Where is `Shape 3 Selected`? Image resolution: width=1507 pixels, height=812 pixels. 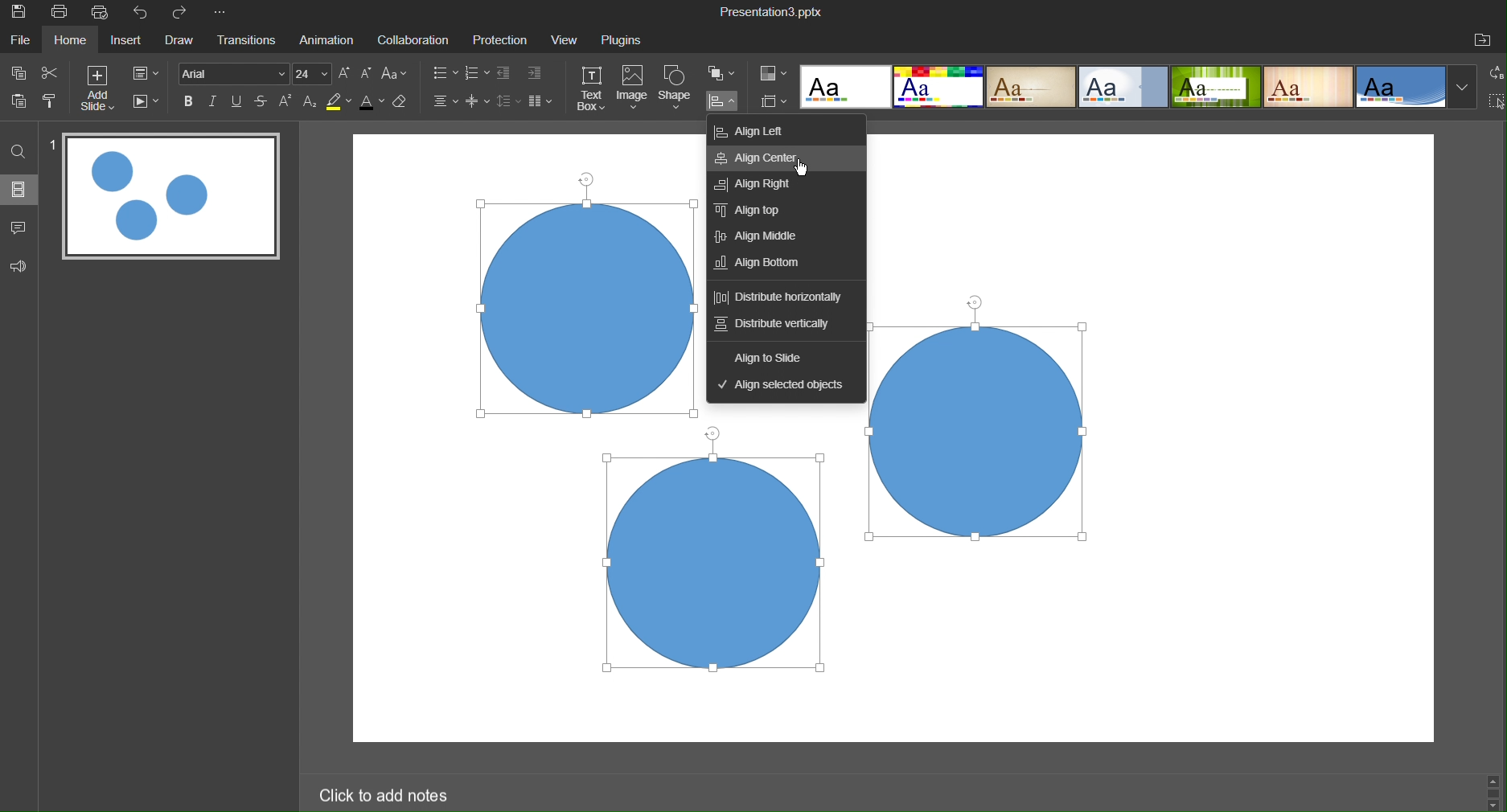 Shape 3 Selected is located at coordinates (719, 565).